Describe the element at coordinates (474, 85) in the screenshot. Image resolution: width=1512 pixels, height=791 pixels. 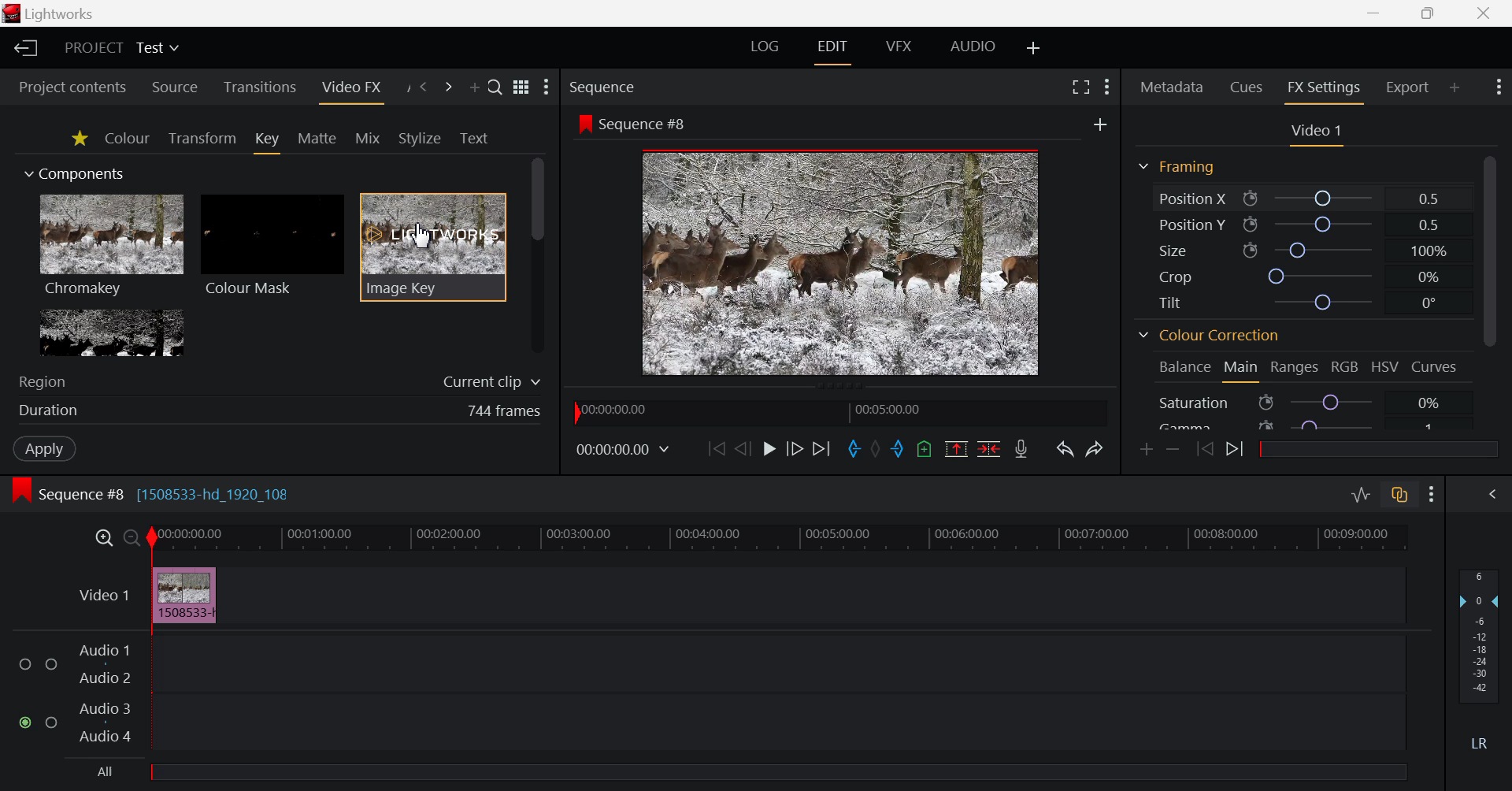
I see `Add Panel` at that location.